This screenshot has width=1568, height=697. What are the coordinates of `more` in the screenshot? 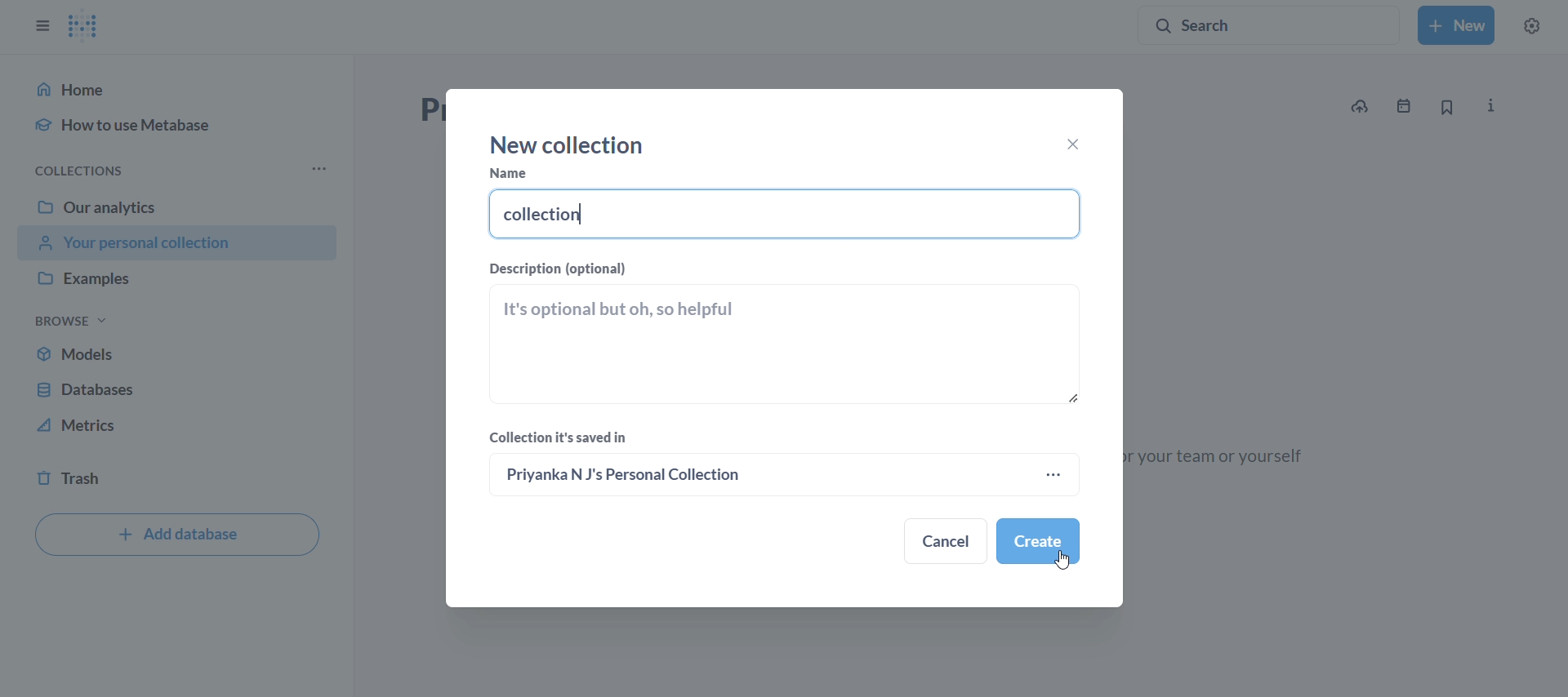 It's located at (1056, 473).